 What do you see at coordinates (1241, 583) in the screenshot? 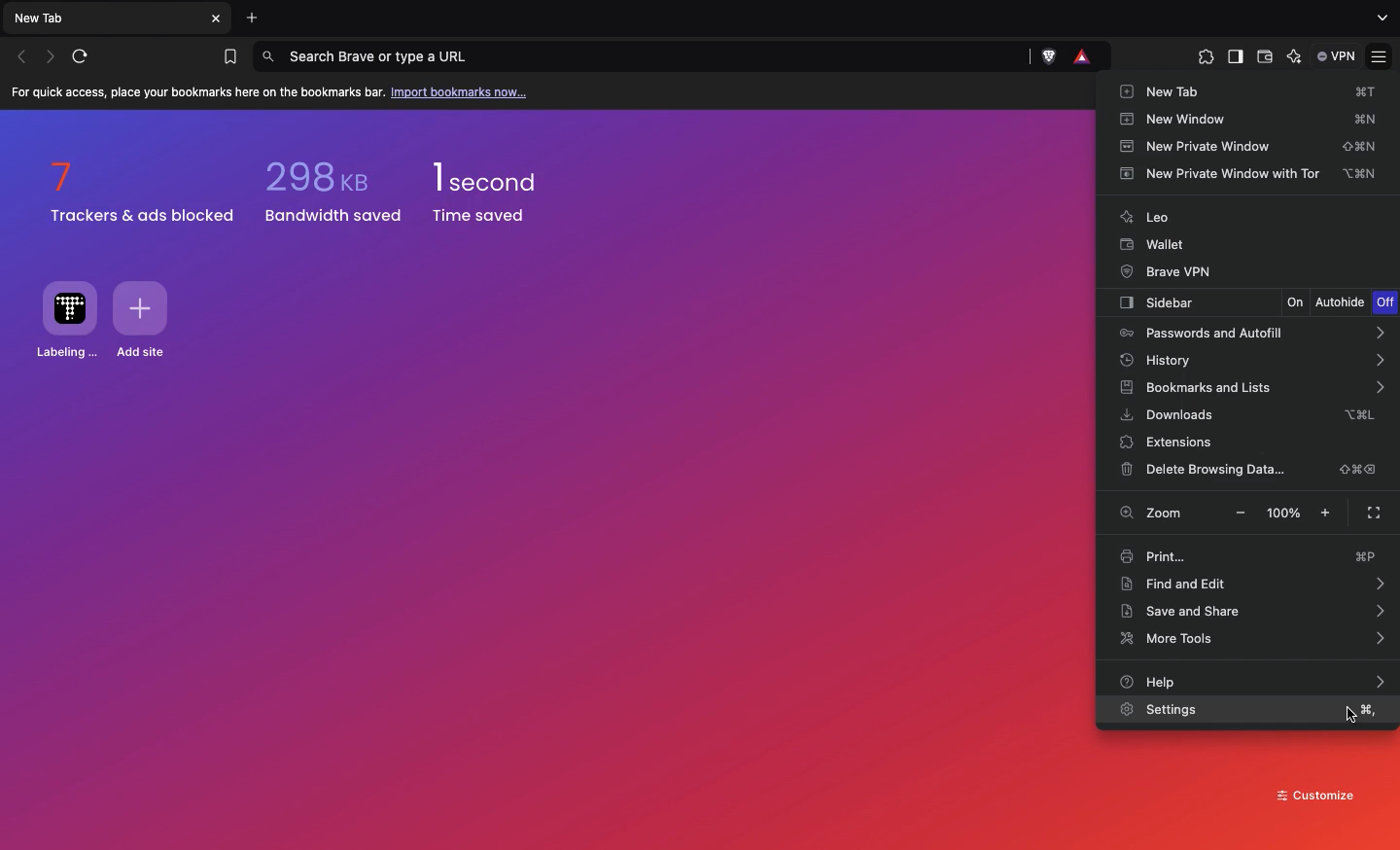
I see `Find and edit` at bounding box center [1241, 583].